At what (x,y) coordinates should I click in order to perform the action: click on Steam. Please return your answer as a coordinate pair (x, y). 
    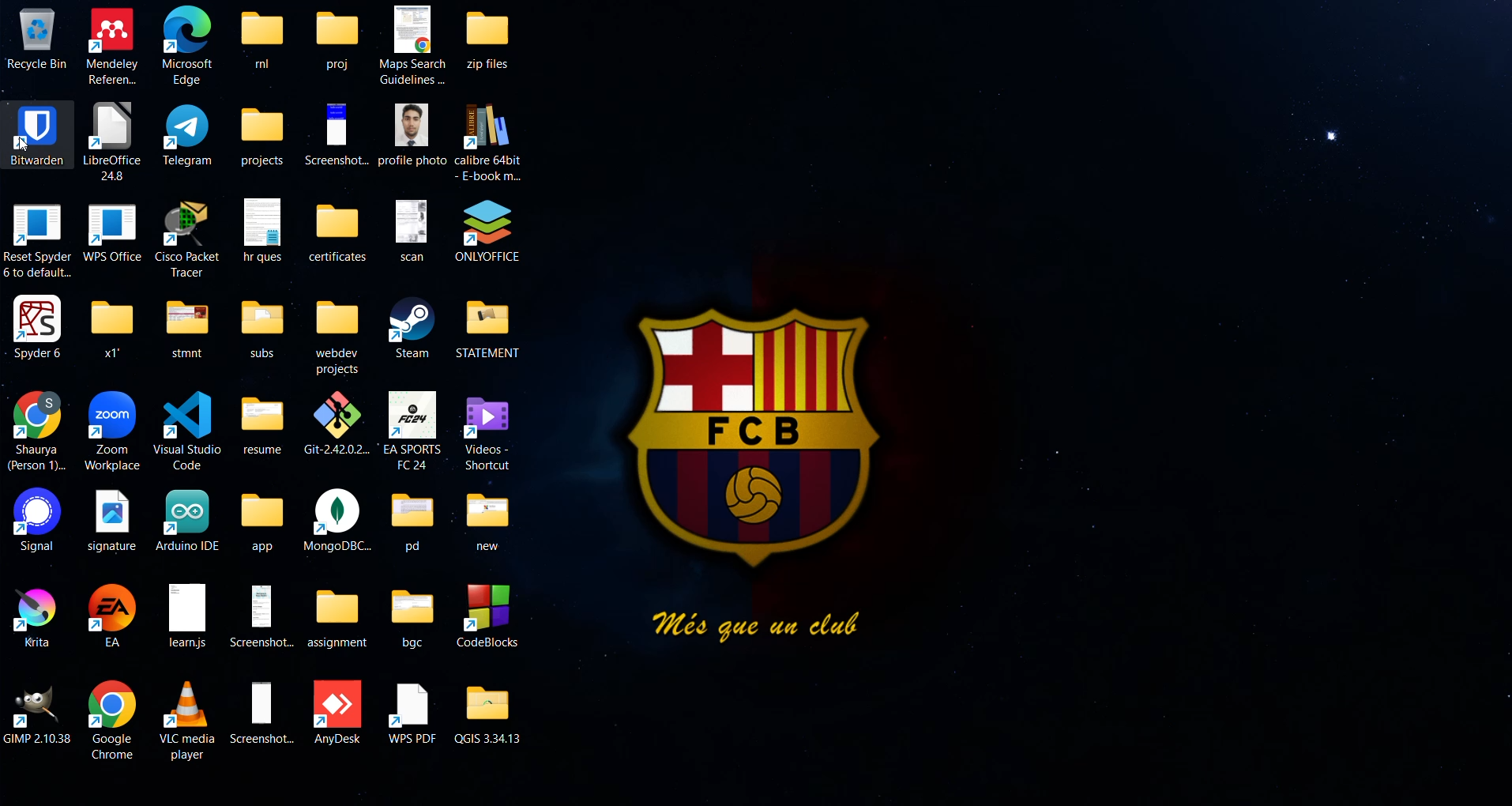
    Looking at the image, I should click on (410, 328).